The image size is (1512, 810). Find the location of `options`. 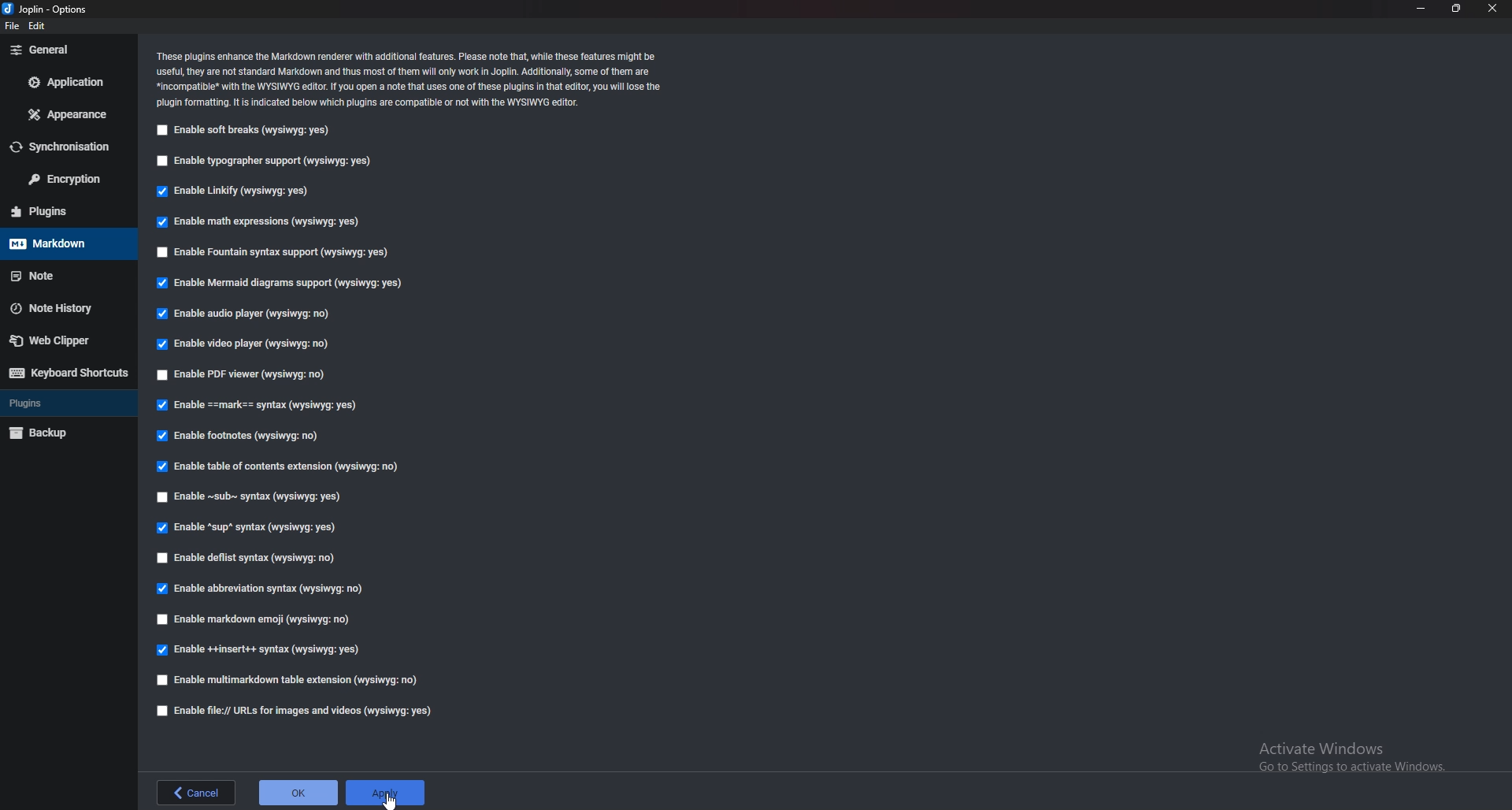

options is located at coordinates (51, 9).